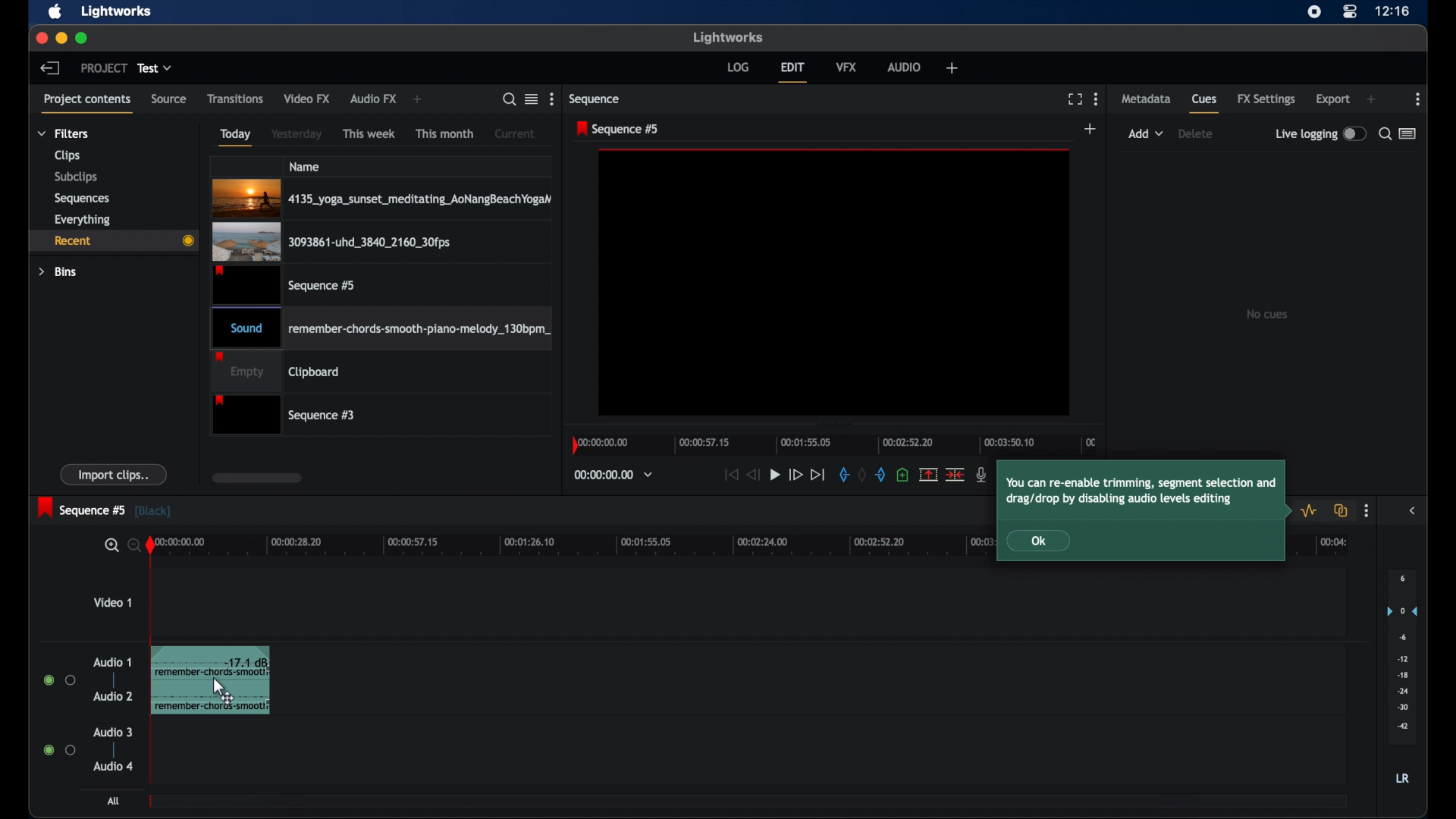  I want to click on play , so click(775, 475).